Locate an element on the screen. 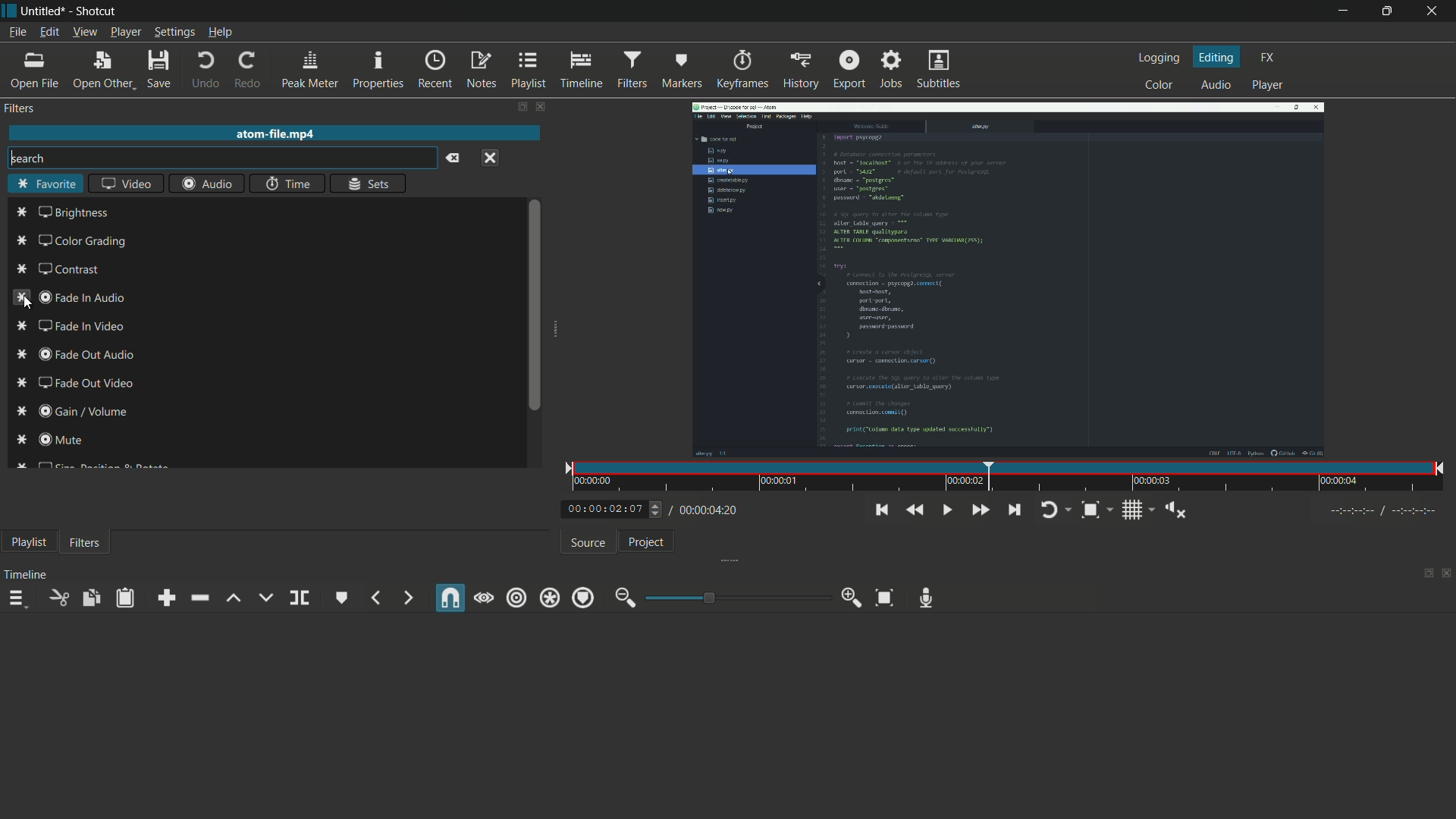 This screenshot has width=1456, height=819. fade in audio is located at coordinates (86, 298).